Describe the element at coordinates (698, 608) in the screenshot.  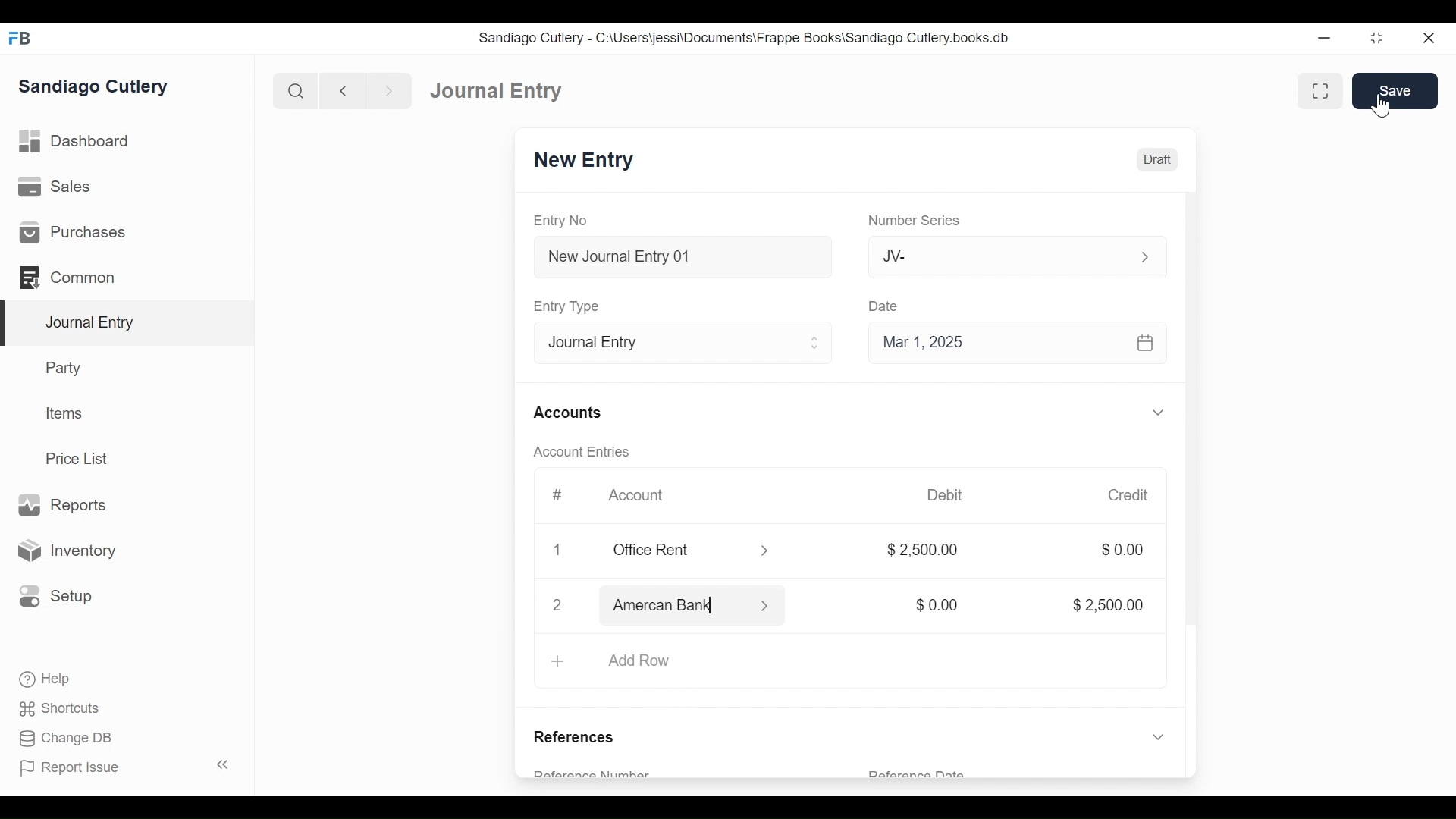
I see `American Bank` at that location.